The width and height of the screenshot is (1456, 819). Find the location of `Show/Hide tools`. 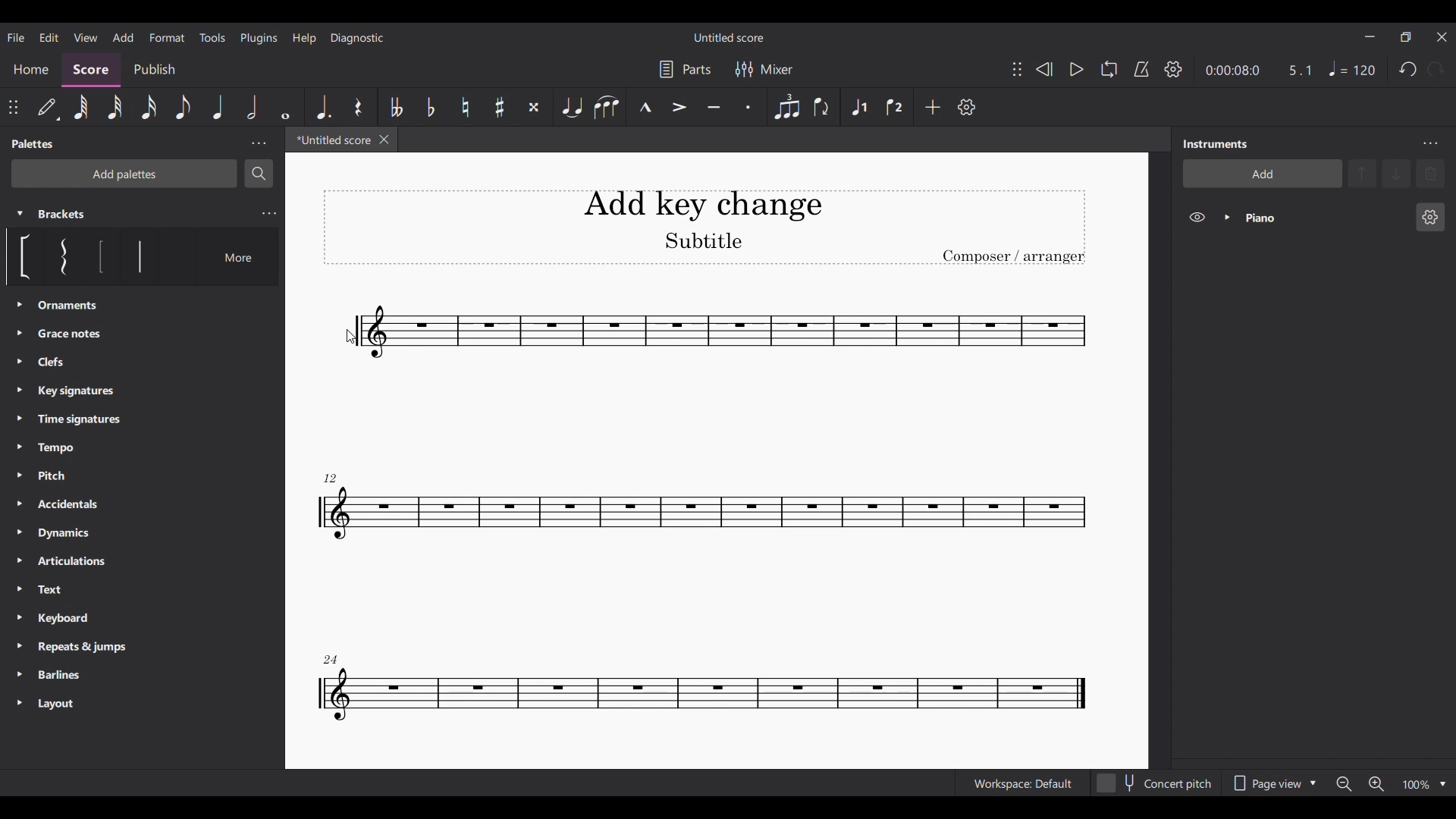

Show/Hide tools is located at coordinates (1173, 69).